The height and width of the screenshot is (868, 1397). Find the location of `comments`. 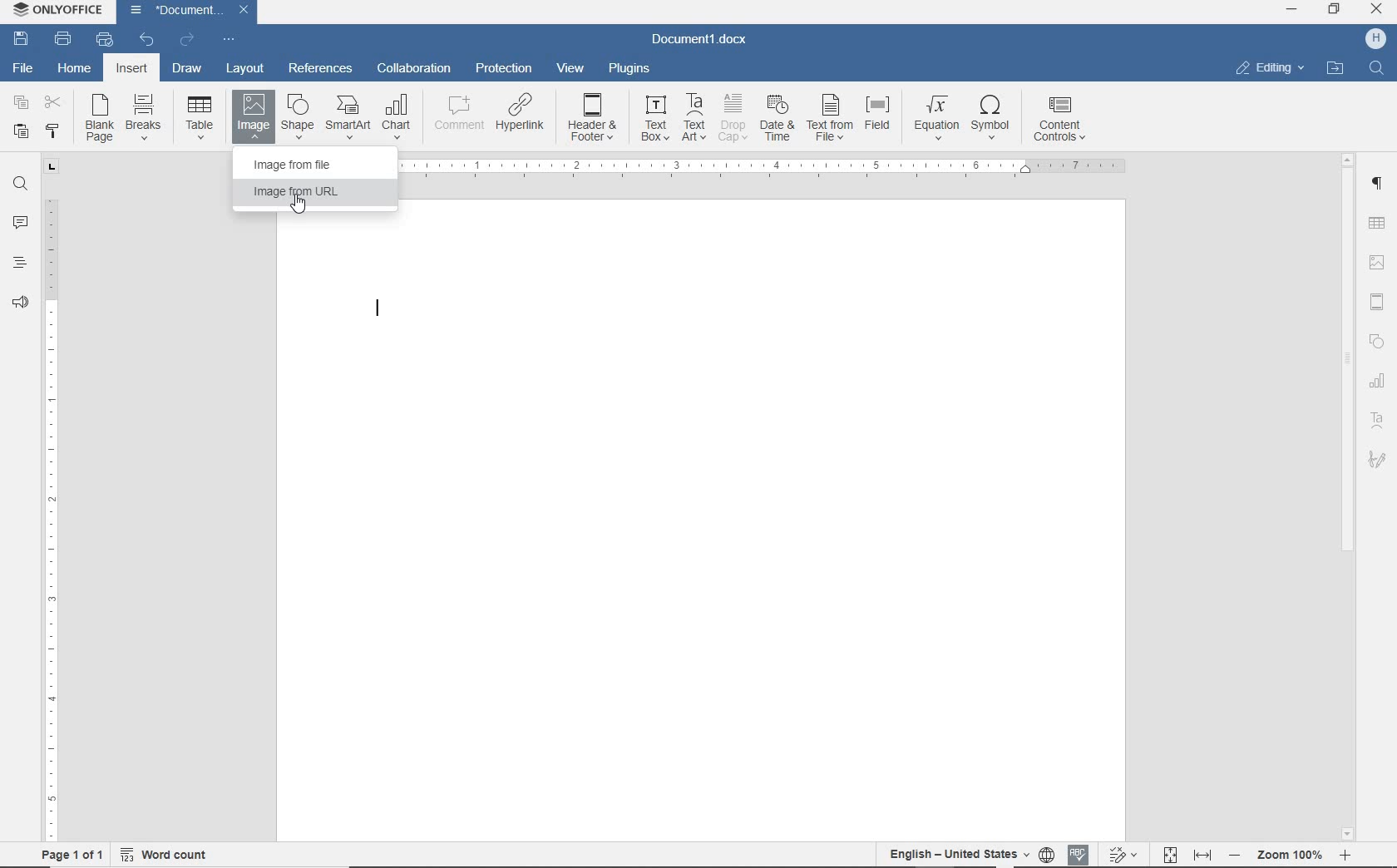

comments is located at coordinates (20, 224).